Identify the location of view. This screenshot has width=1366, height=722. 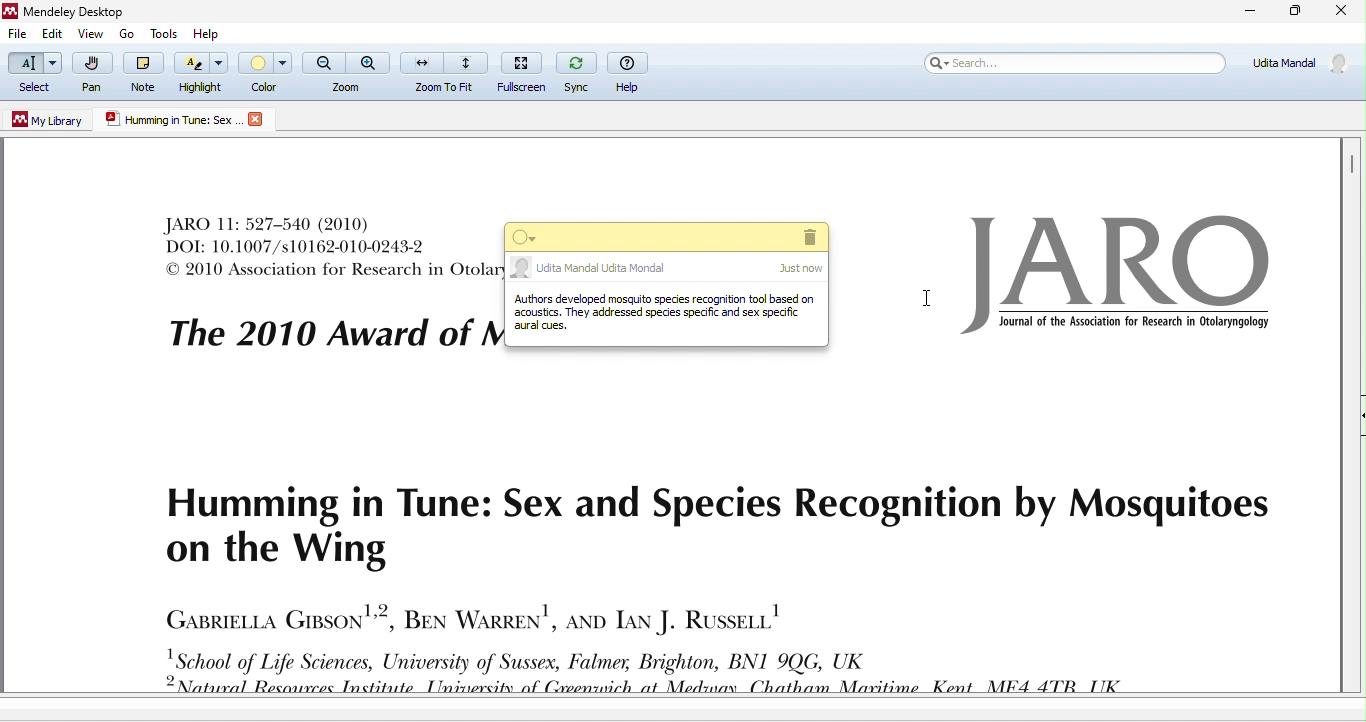
(91, 34).